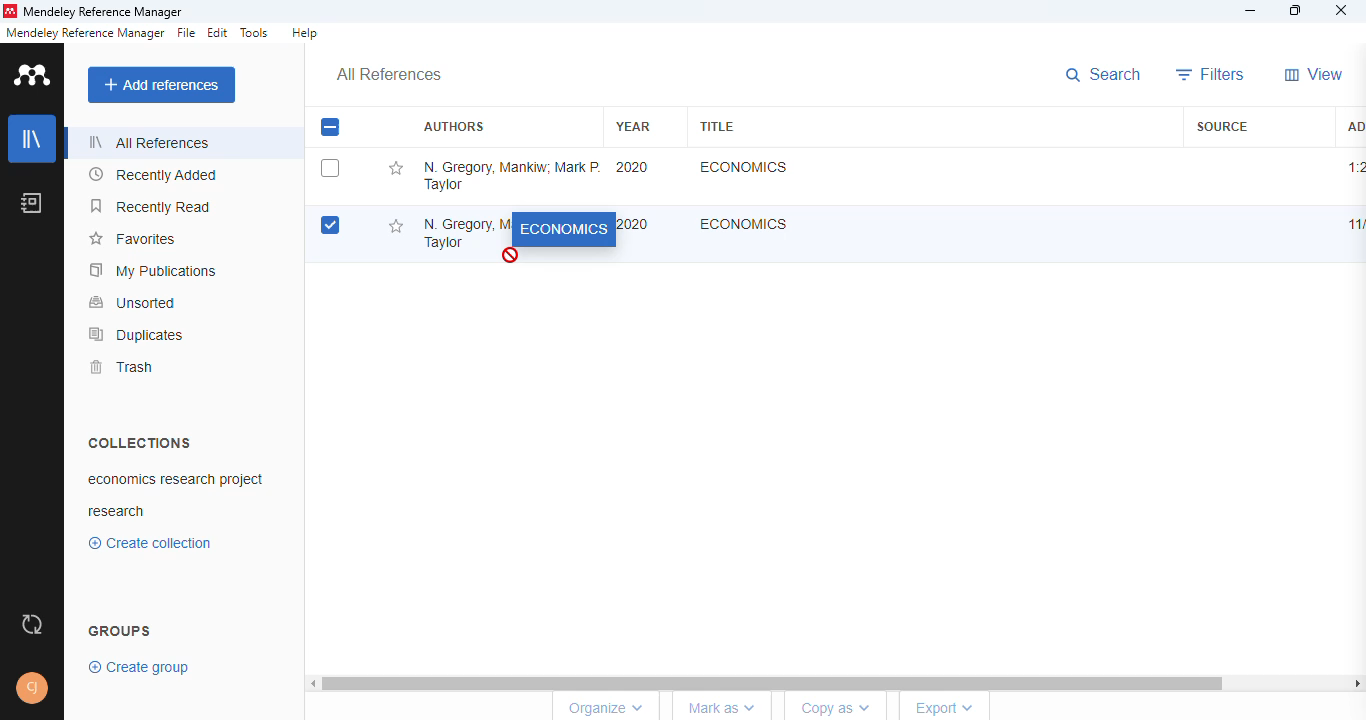 Image resolution: width=1366 pixels, height=720 pixels. What do you see at coordinates (255, 33) in the screenshot?
I see `tools` at bounding box center [255, 33].